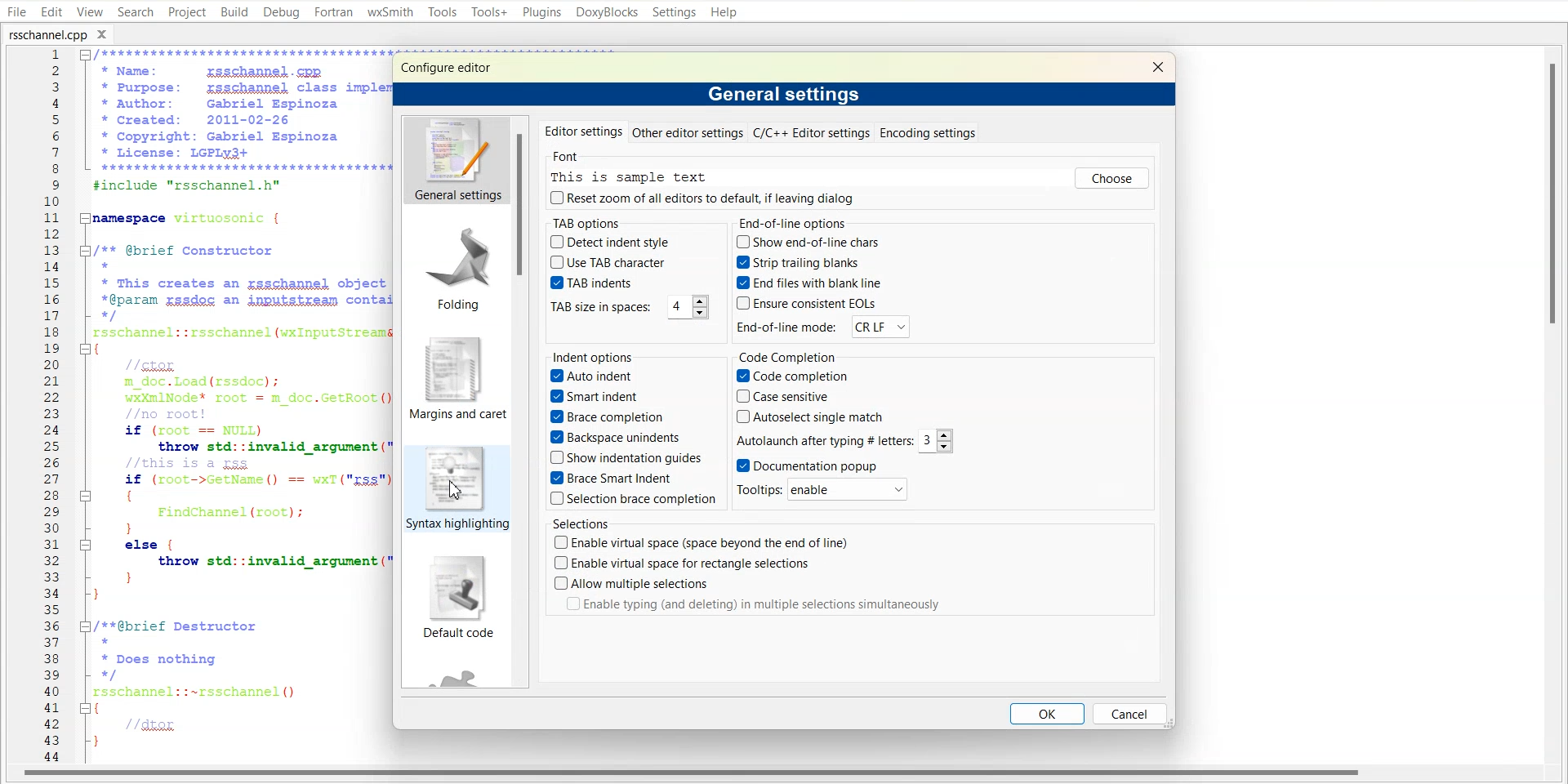 This screenshot has height=784, width=1568. I want to click on Plugins, so click(541, 11).